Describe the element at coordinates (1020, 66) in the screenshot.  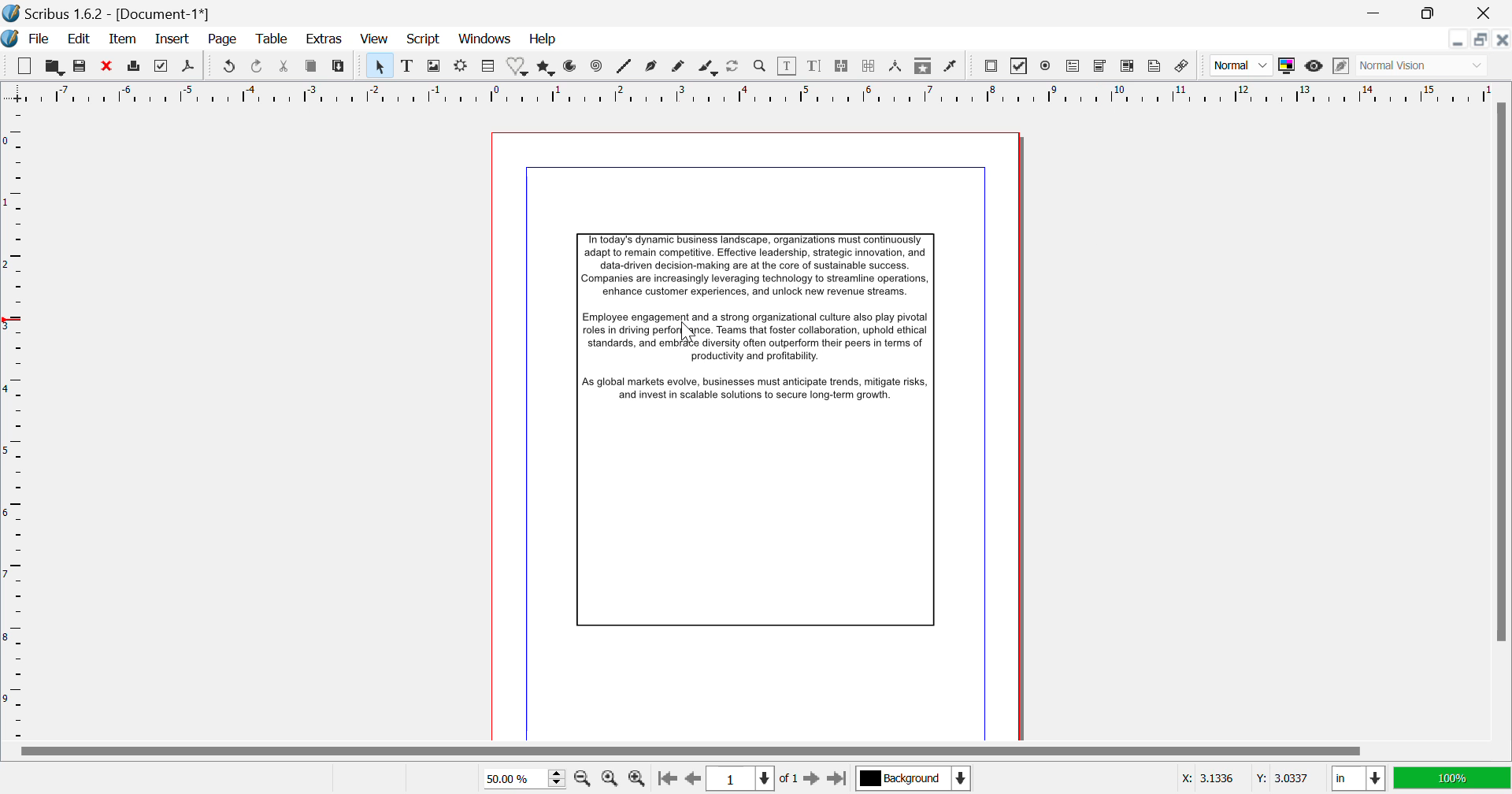
I see `Pdf checkbox` at that location.